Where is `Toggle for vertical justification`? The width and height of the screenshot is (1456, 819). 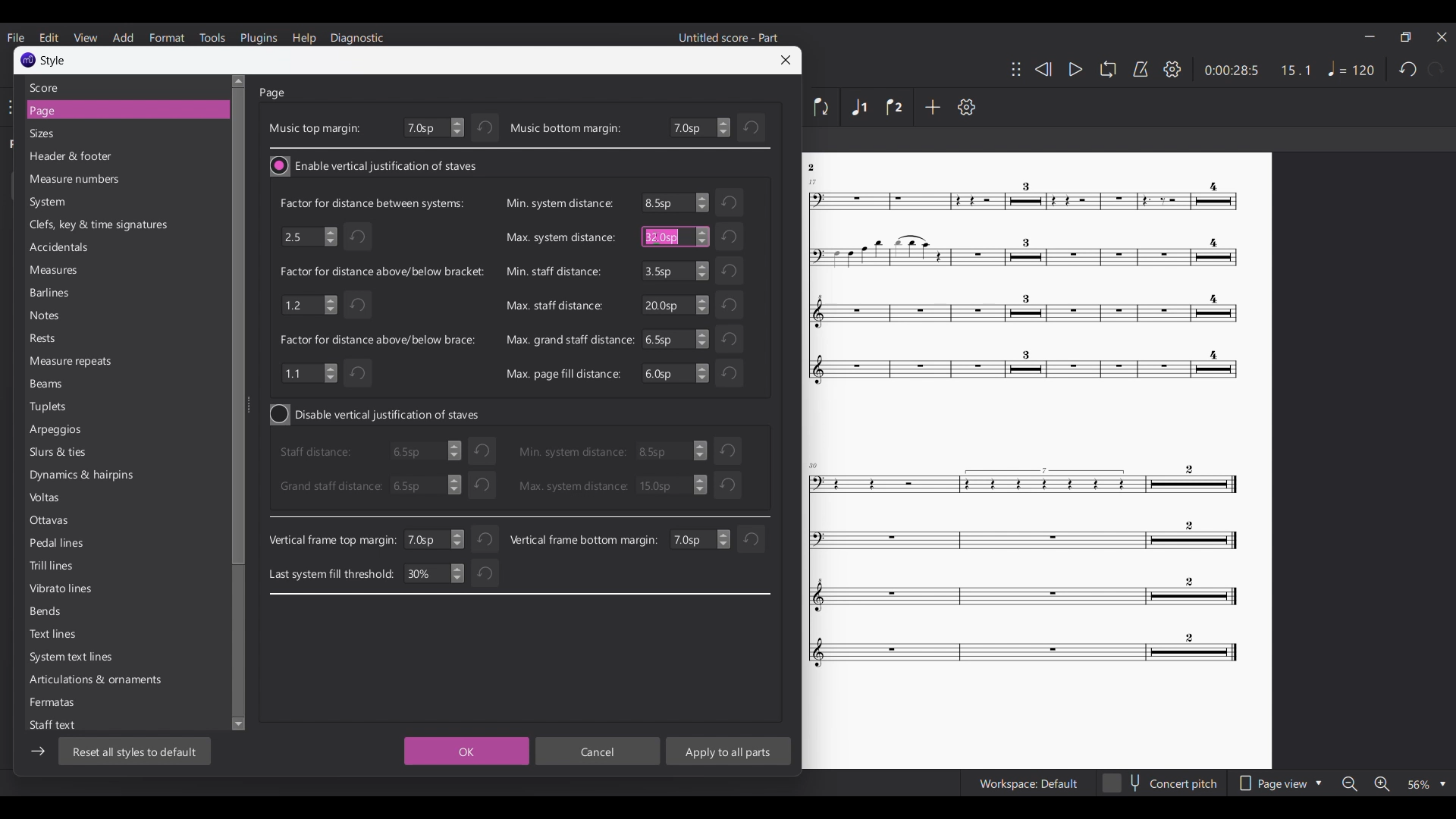
Toggle for vertical justification is located at coordinates (375, 166).